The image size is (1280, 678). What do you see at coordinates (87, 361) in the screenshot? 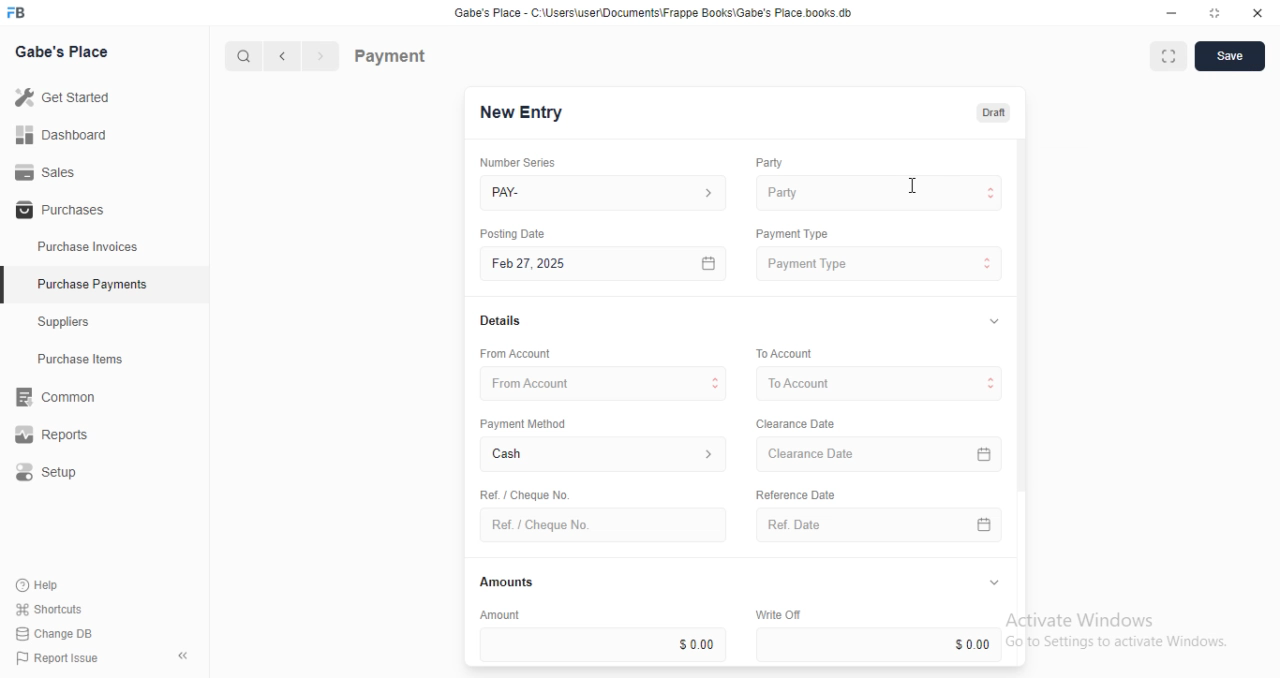
I see `Purchase Items.` at bounding box center [87, 361].